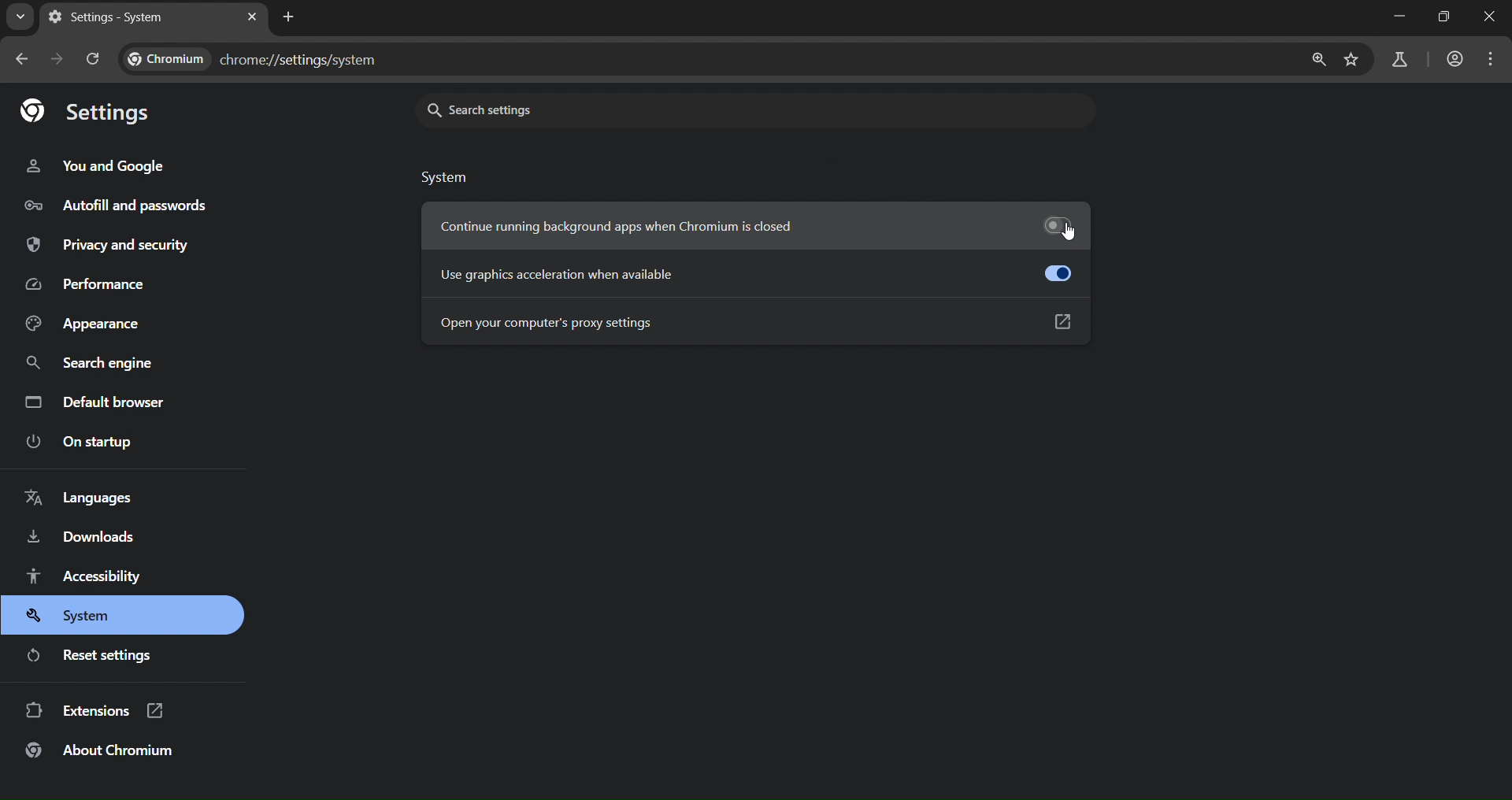 The image size is (1512, 800). Describe the element at coordinates (80, 498) in the screenshot. I see `languages` at that location.